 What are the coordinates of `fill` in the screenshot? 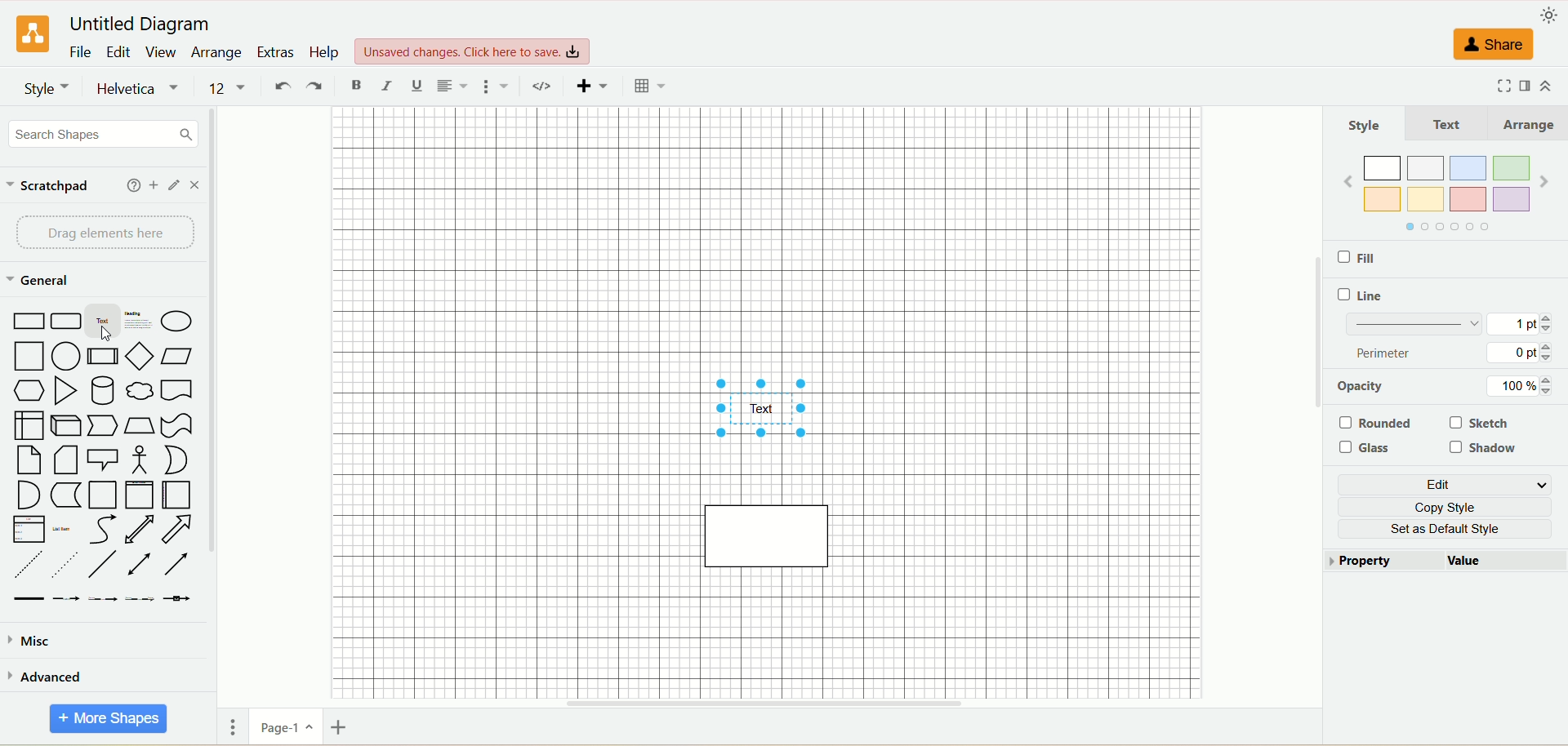 It's located at (1376, 260).